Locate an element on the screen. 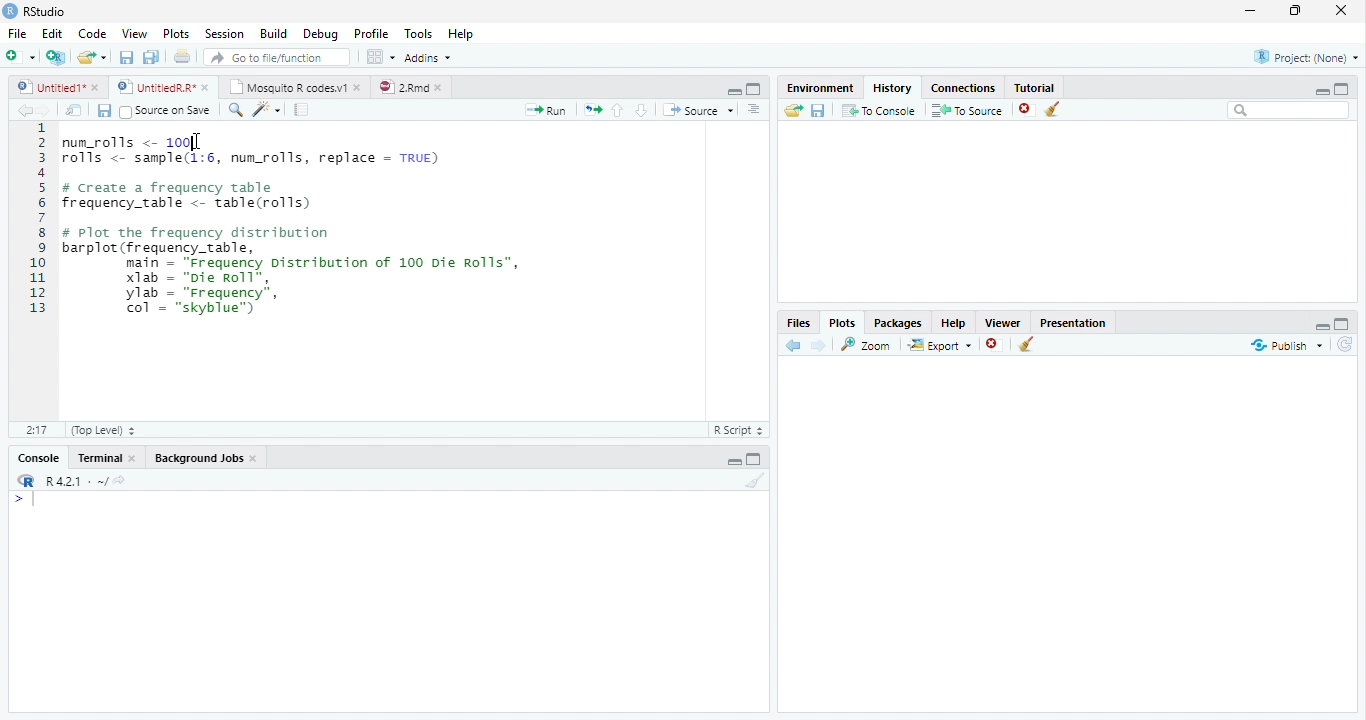 This screenshot has width=1366, height=720. Load History from existing file is located at coordinates (793, 110).